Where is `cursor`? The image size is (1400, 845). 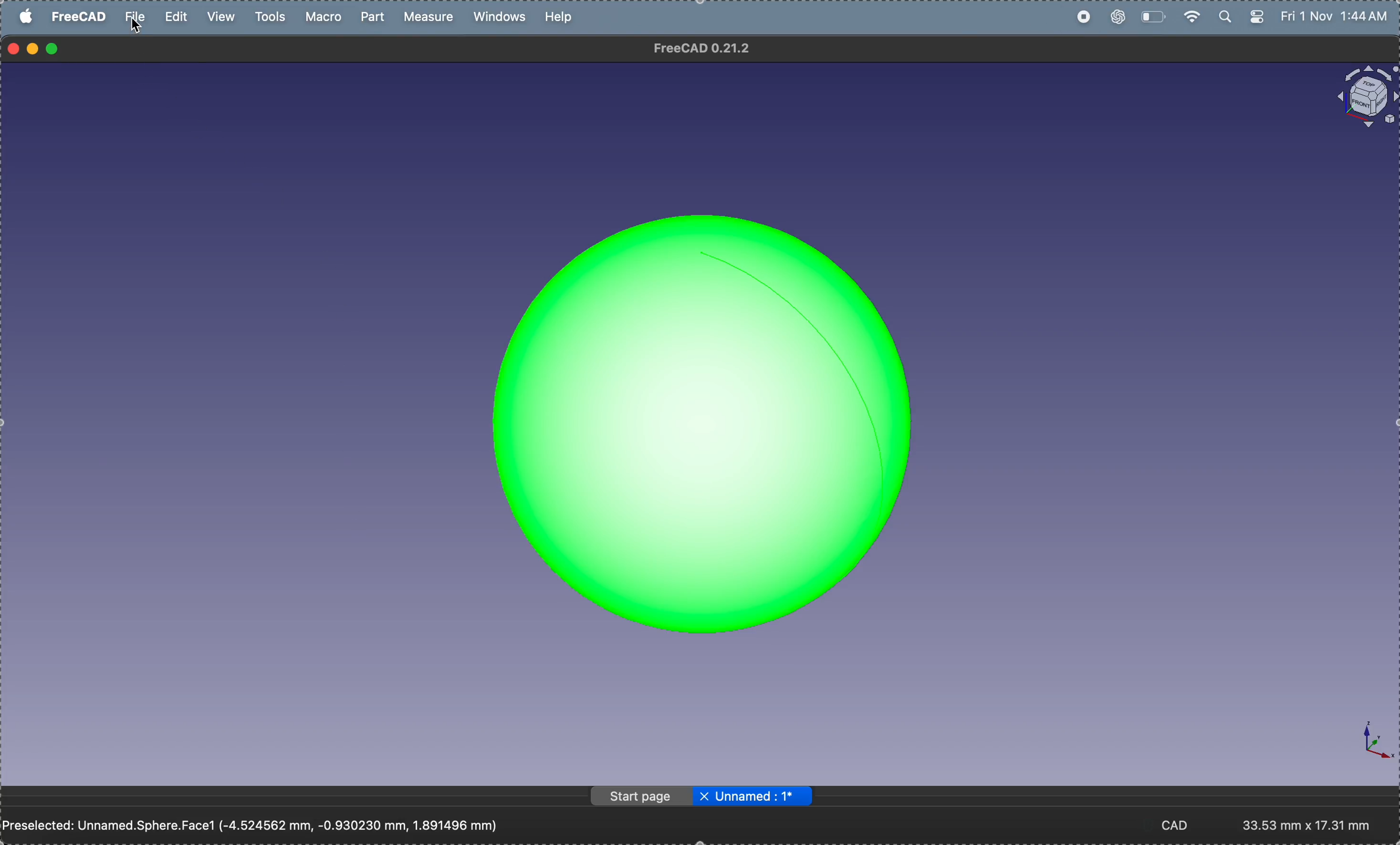
cursor is located at coordinates (138, 28).